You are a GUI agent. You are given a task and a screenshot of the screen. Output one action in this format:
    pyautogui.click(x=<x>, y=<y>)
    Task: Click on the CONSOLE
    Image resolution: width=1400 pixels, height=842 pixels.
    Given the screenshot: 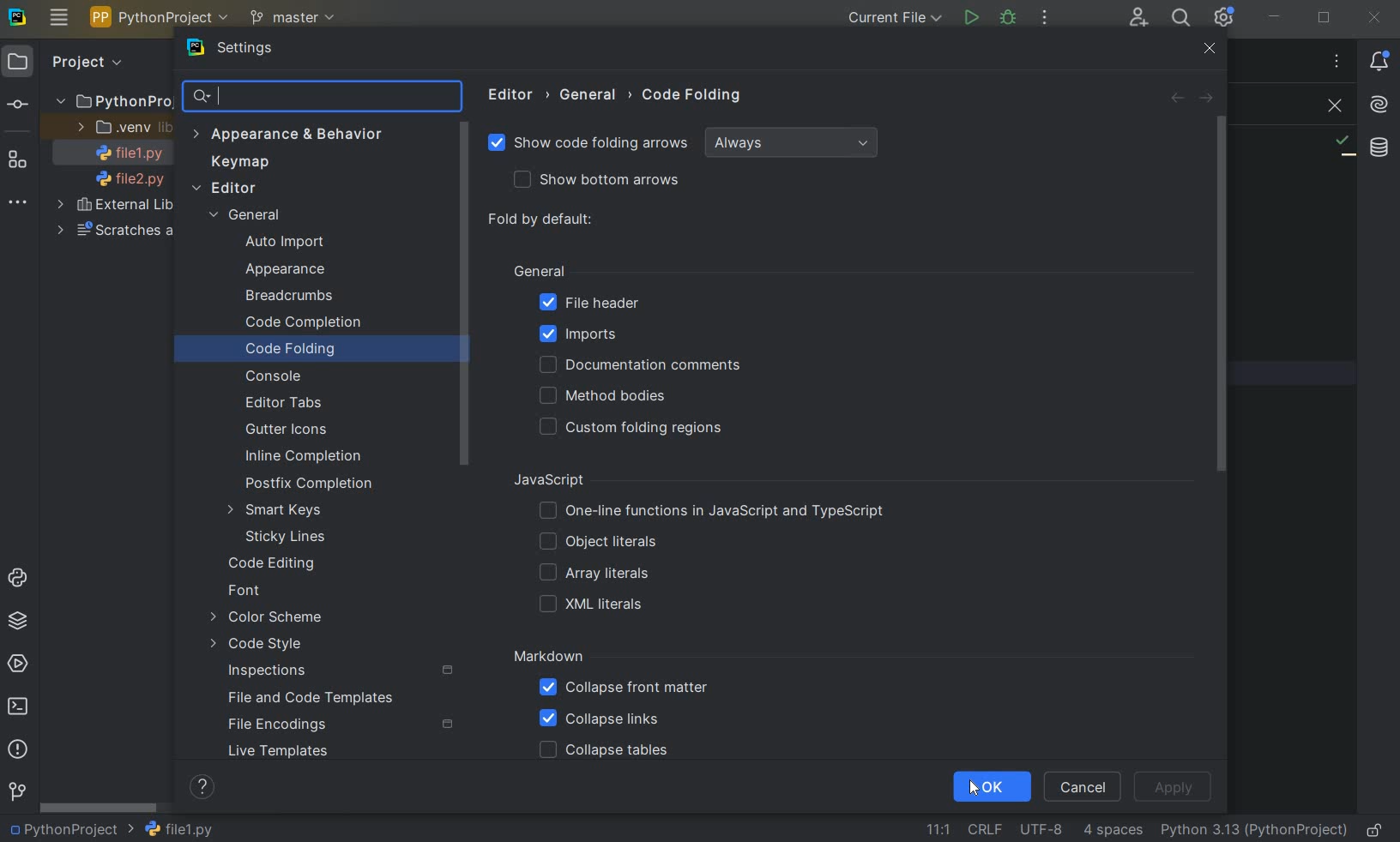 What is the action you would take?
    pyautogui.click(x=280, y=376)
    